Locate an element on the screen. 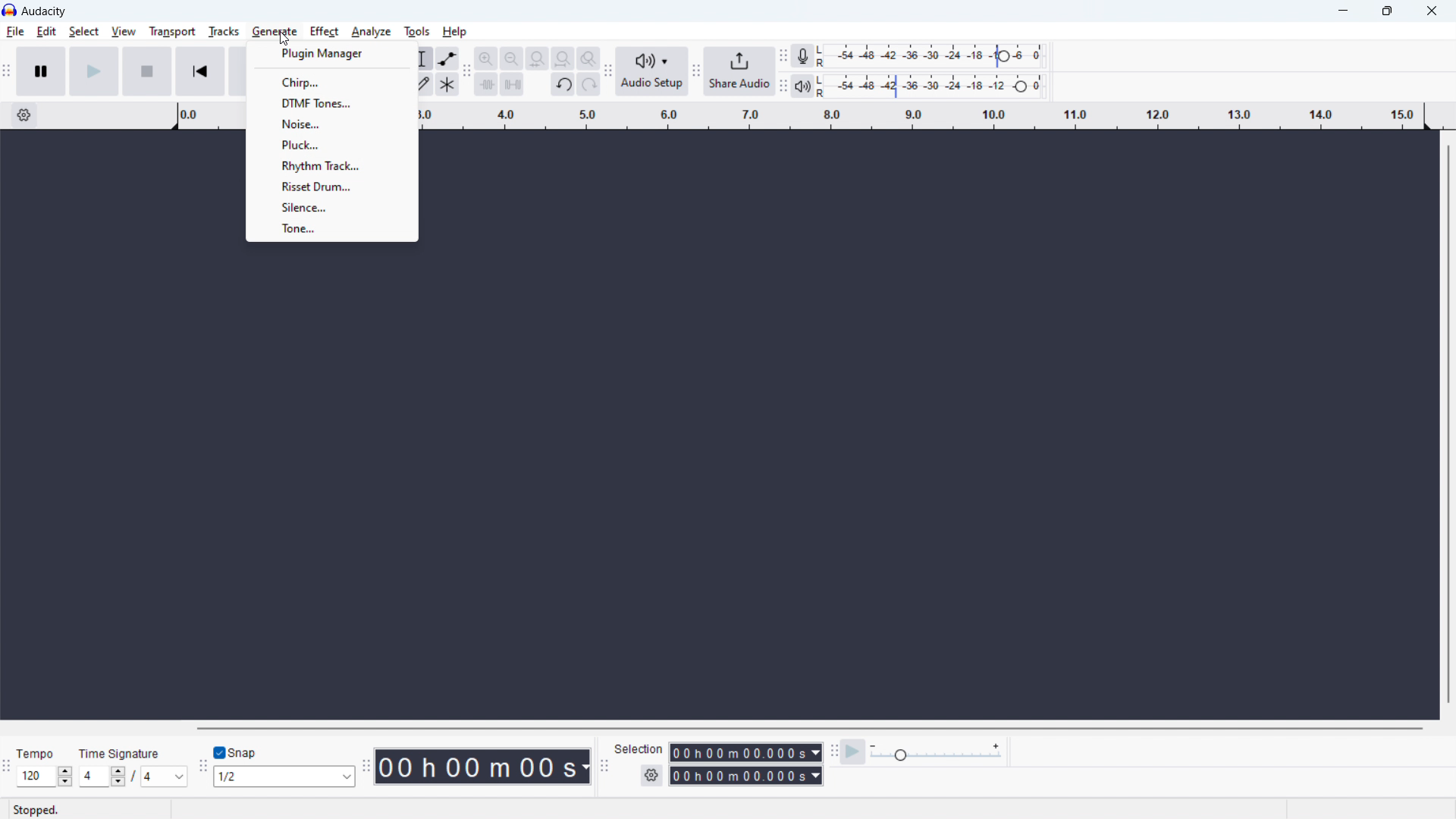  envelop tool is located at coordinates (449, 58).